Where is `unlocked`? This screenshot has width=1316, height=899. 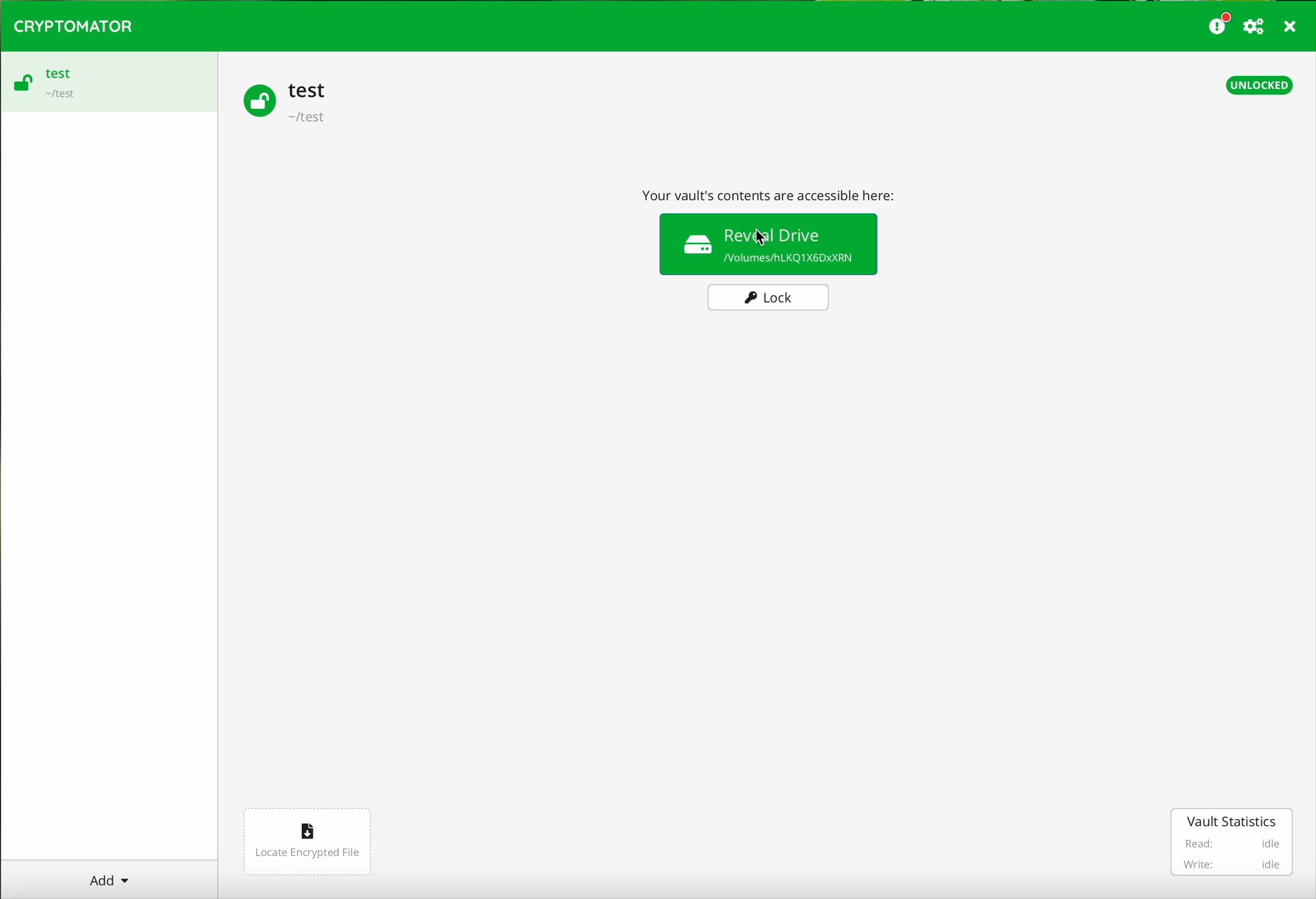
unlocked is located at coordinates (1260, 84).